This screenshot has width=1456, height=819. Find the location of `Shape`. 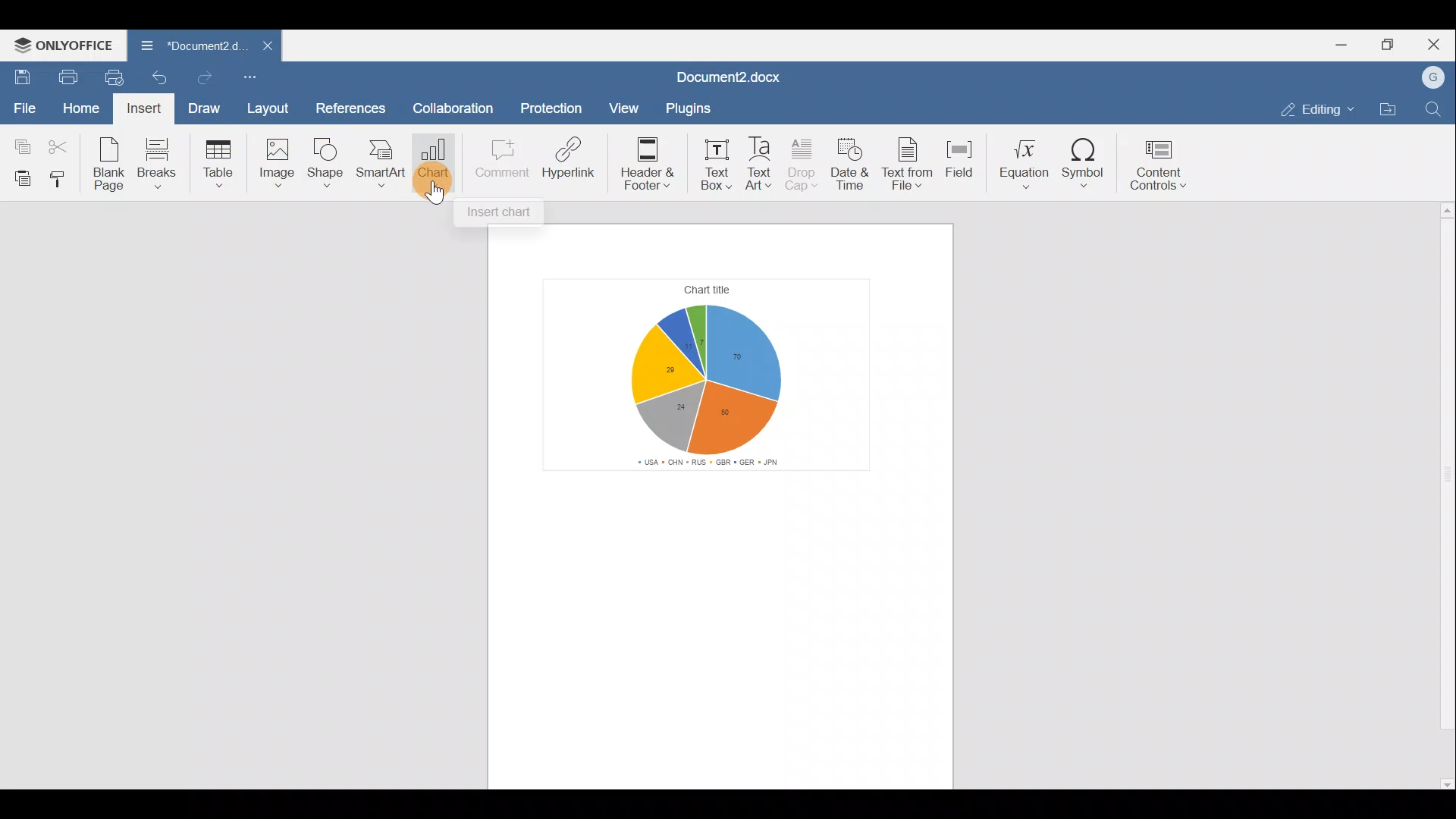

Shape is located at coordinates (329, 164).